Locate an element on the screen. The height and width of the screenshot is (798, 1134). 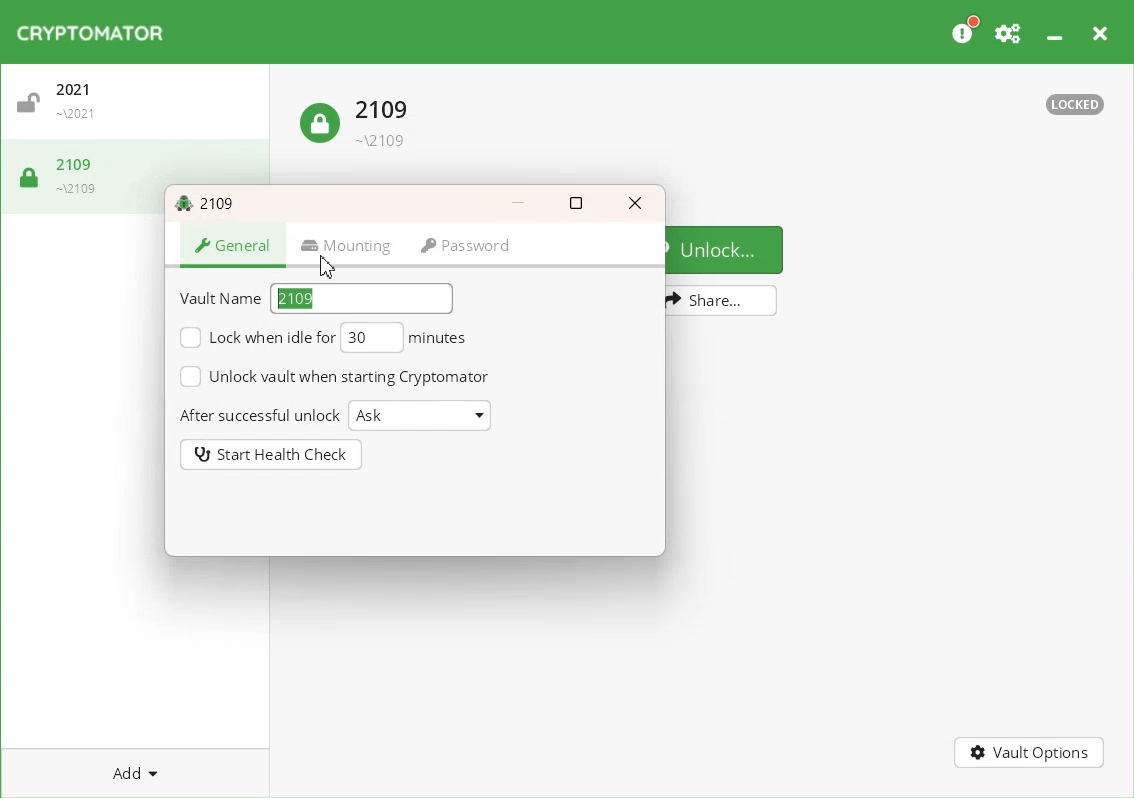
Vault Name is located at coordinates (220, 298).